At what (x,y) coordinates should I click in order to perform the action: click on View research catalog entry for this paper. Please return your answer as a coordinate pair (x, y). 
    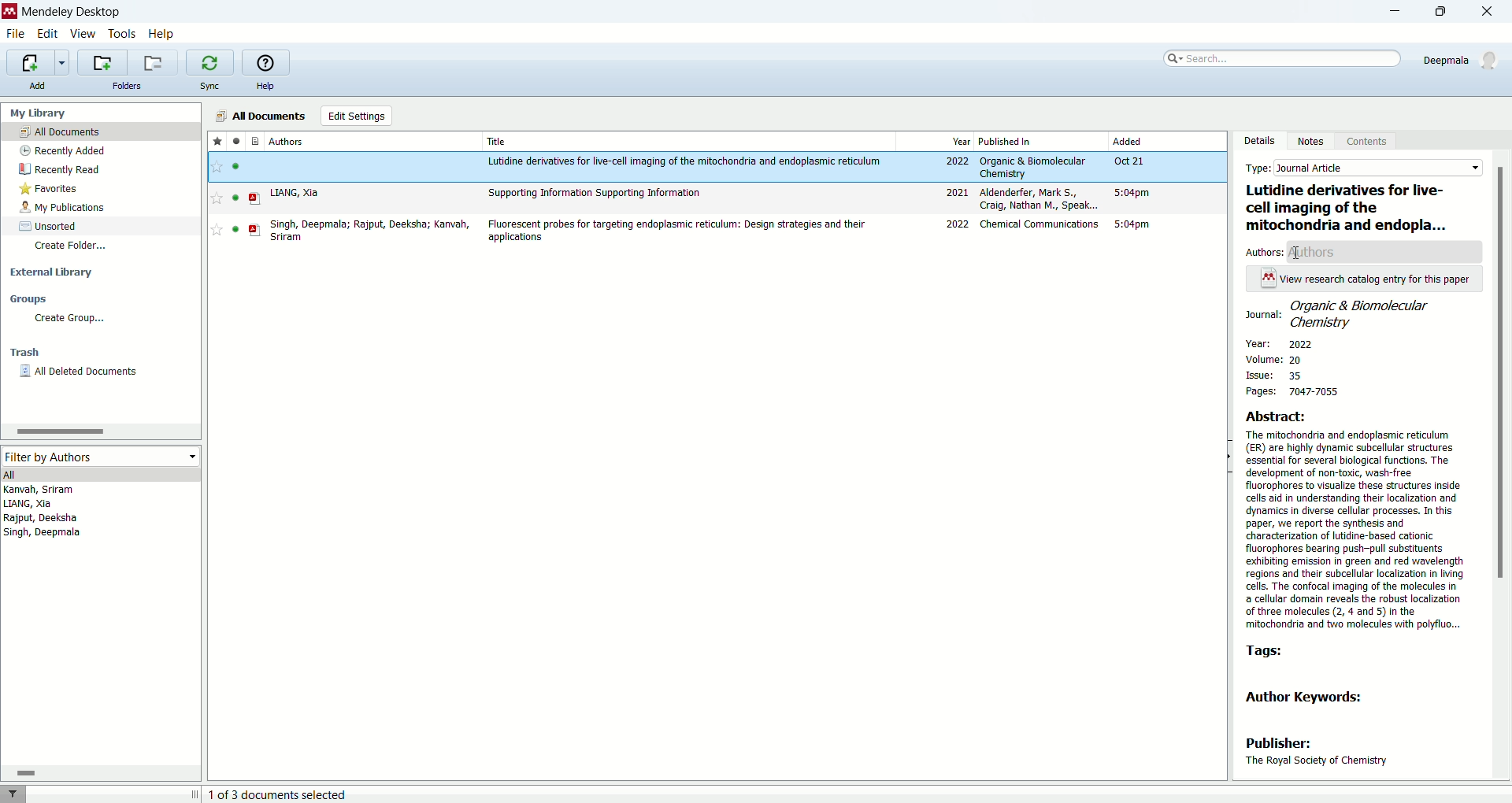
    Looking at the image, I should click on (1376, 279).